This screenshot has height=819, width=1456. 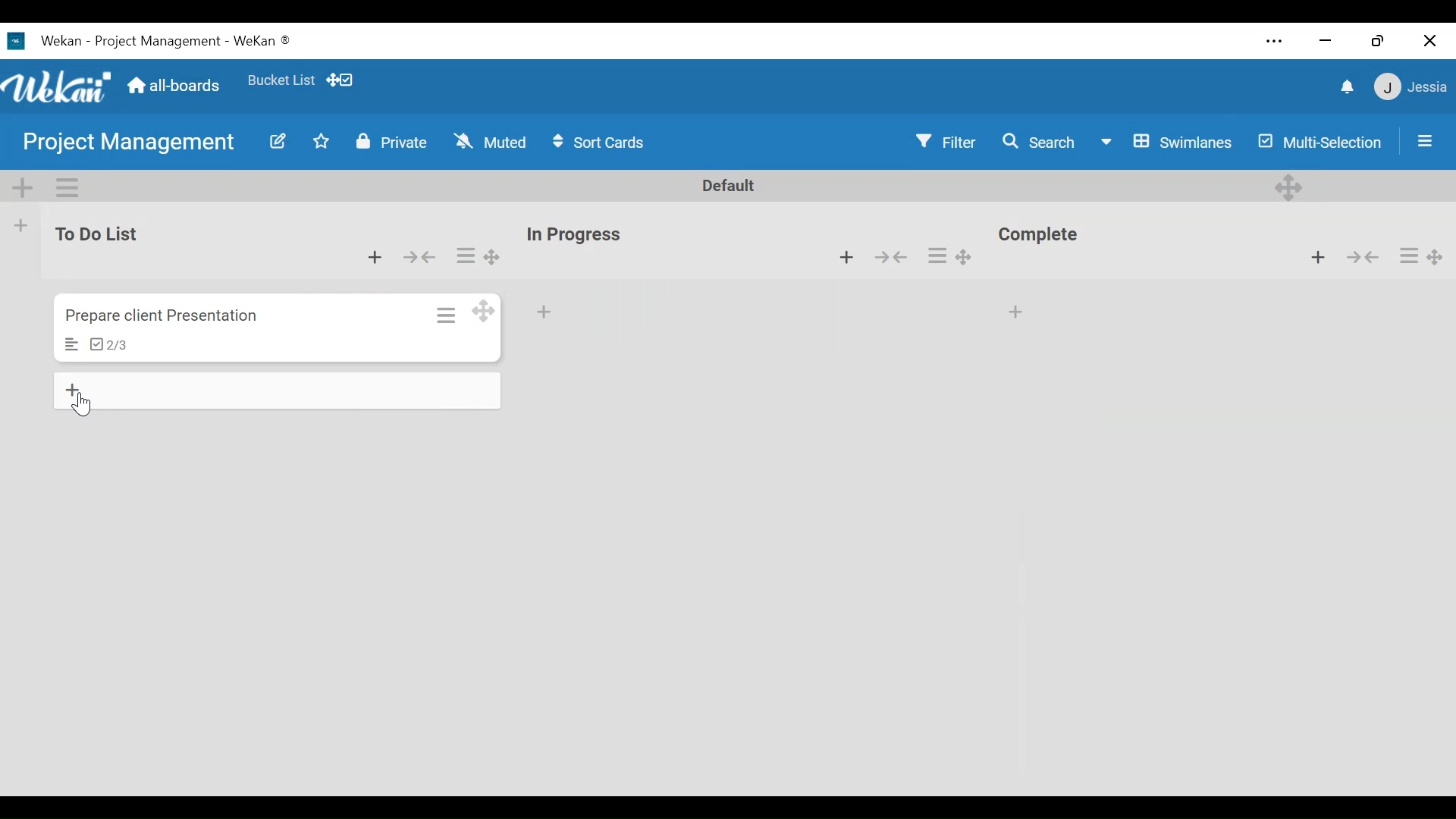 I want to click on Add card to bottom of the list, so click(x=1018, y=308).